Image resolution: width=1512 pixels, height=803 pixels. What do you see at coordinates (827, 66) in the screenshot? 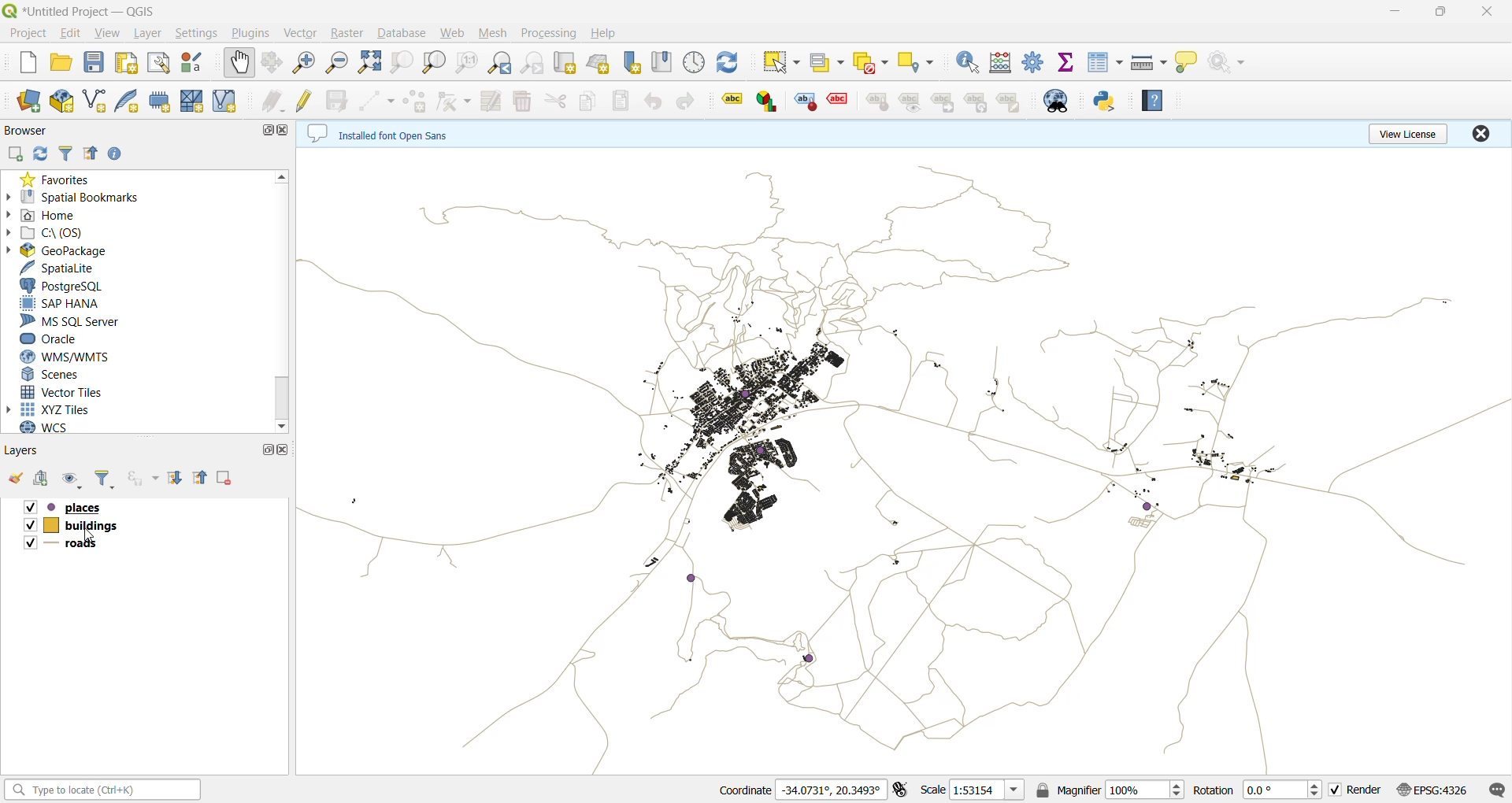
I see `select value` at bounding box center [827, 66].